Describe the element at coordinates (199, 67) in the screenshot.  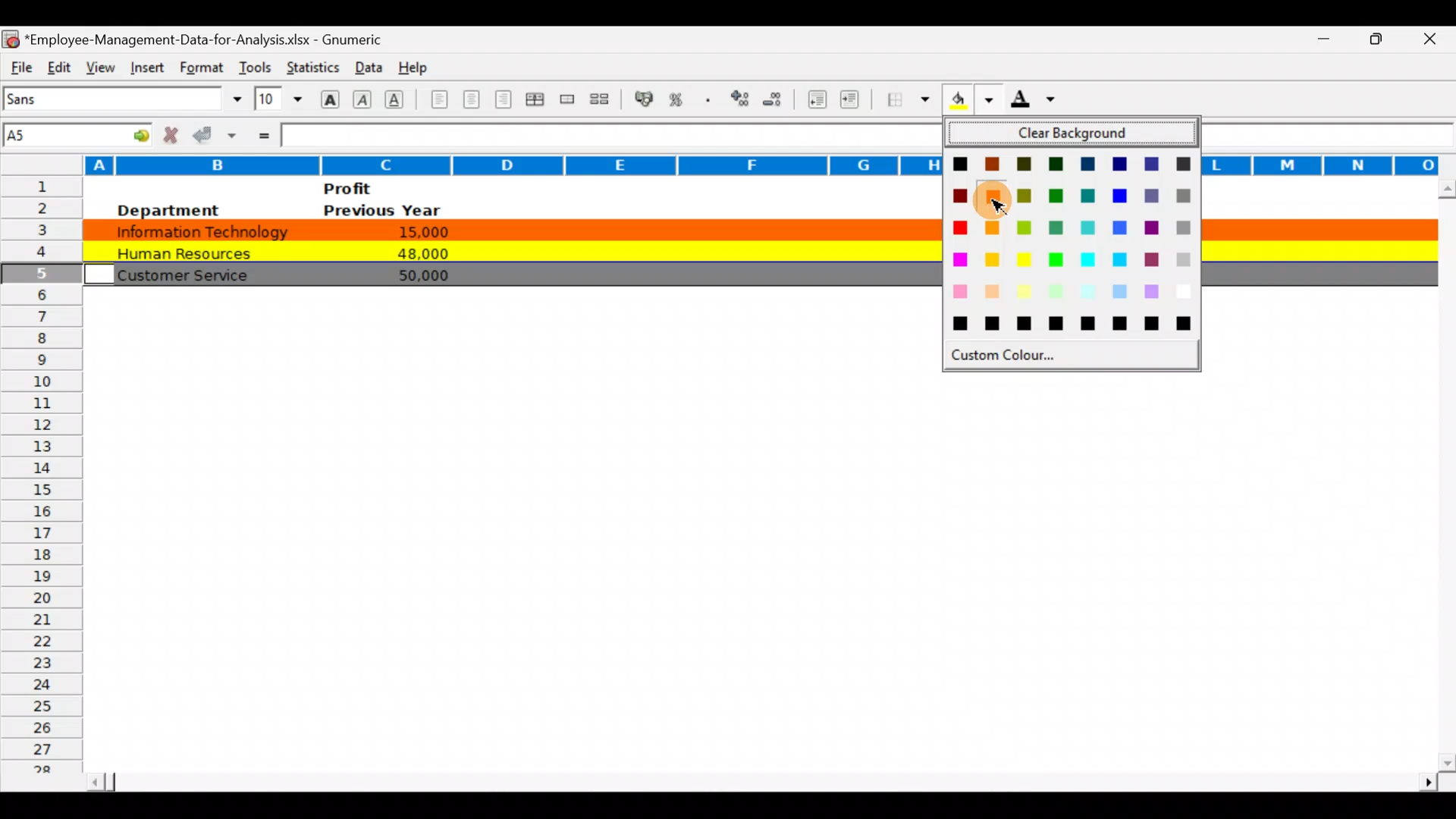
I see `Format` at that location.